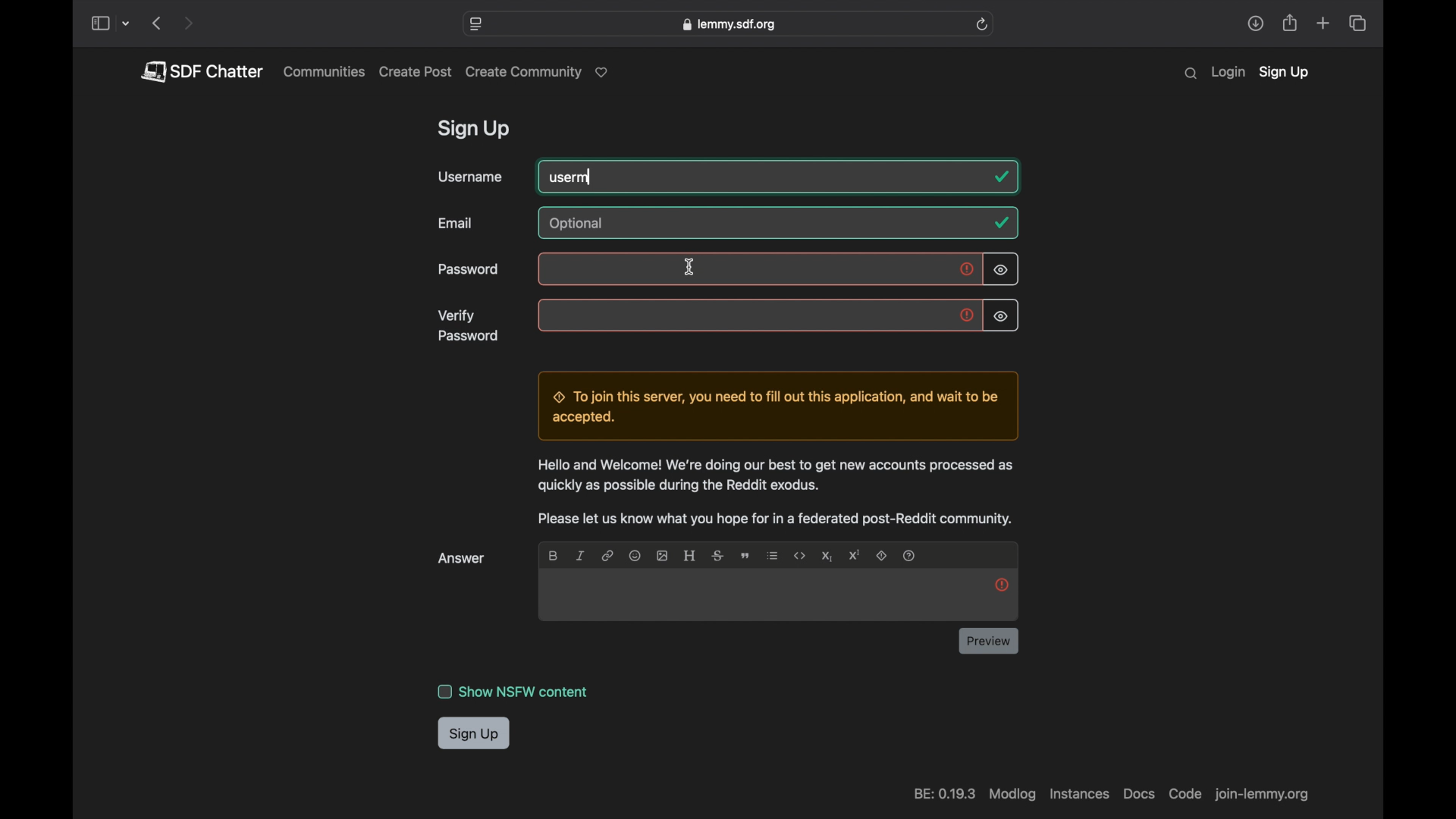 The height and width of the screenshot is (819, 1456). Describe the element at coordinates (1003, 177) in the screenshot. I see `tick mark` at that location.